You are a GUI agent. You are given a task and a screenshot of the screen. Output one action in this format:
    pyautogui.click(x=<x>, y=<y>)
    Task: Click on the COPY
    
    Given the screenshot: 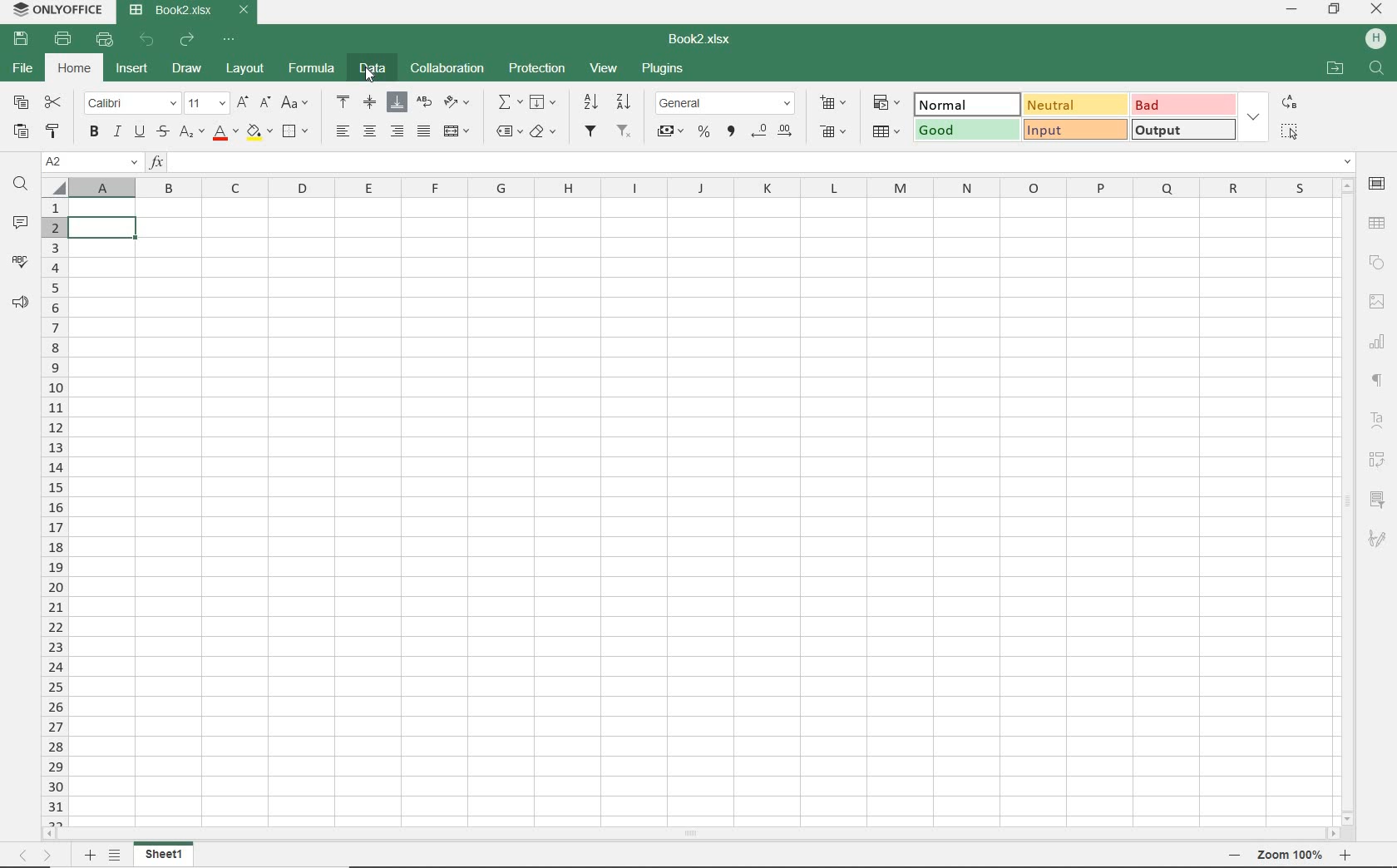 What is the action you would take?
    pyautogui.click(x=20, y=104)
    